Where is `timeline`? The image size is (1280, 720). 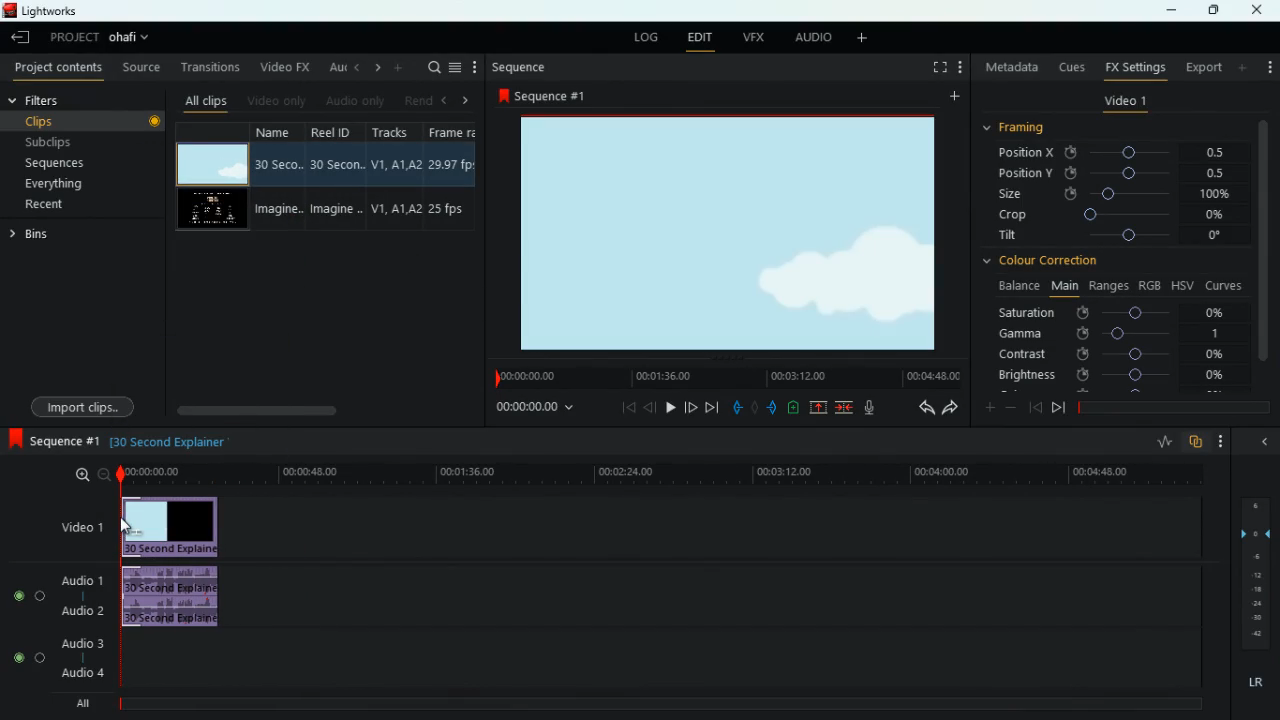
timeline is located at coordinates (1171, 407).